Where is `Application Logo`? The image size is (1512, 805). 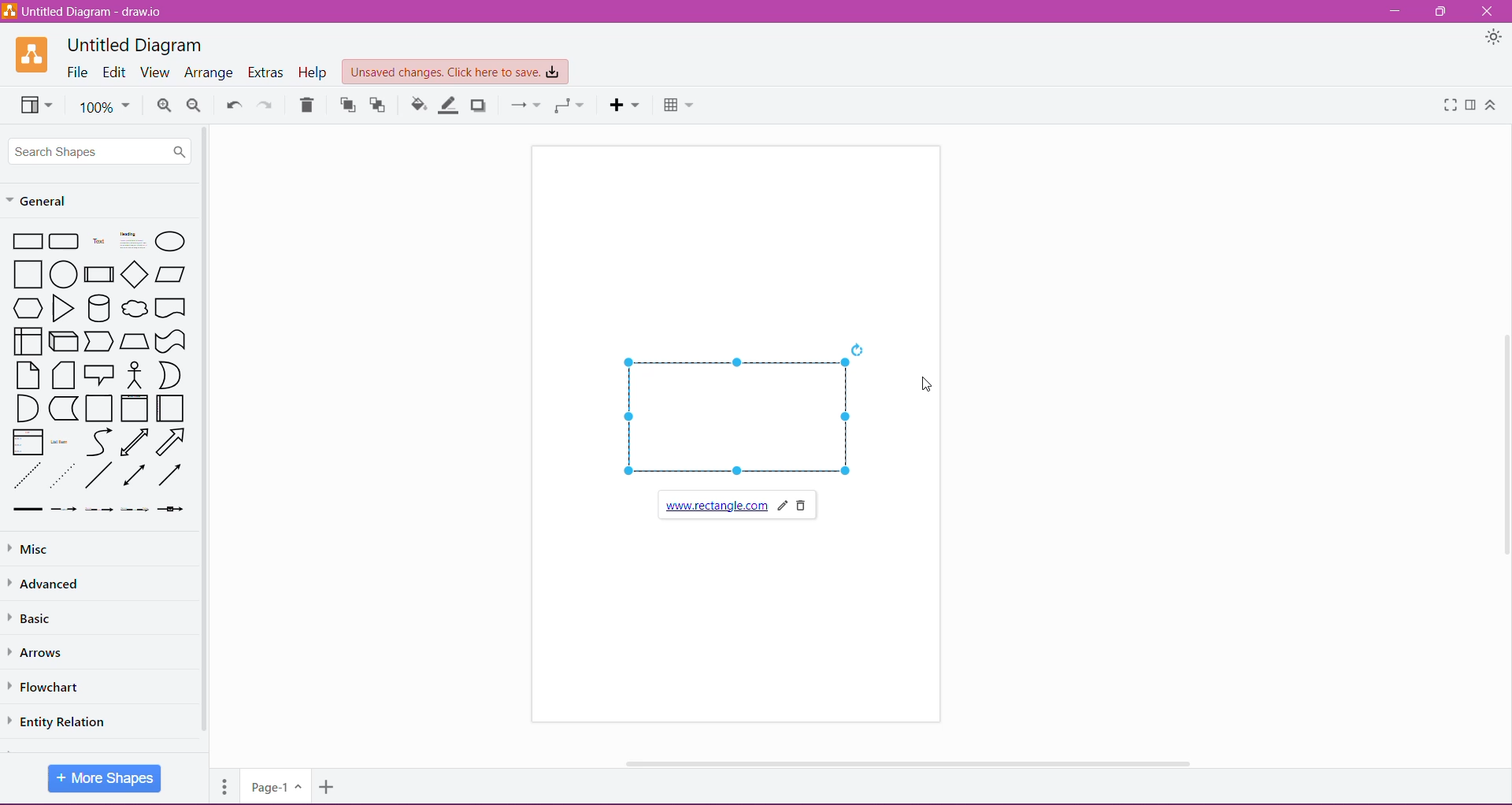 Application Logo is located at coordinates (31, 54).